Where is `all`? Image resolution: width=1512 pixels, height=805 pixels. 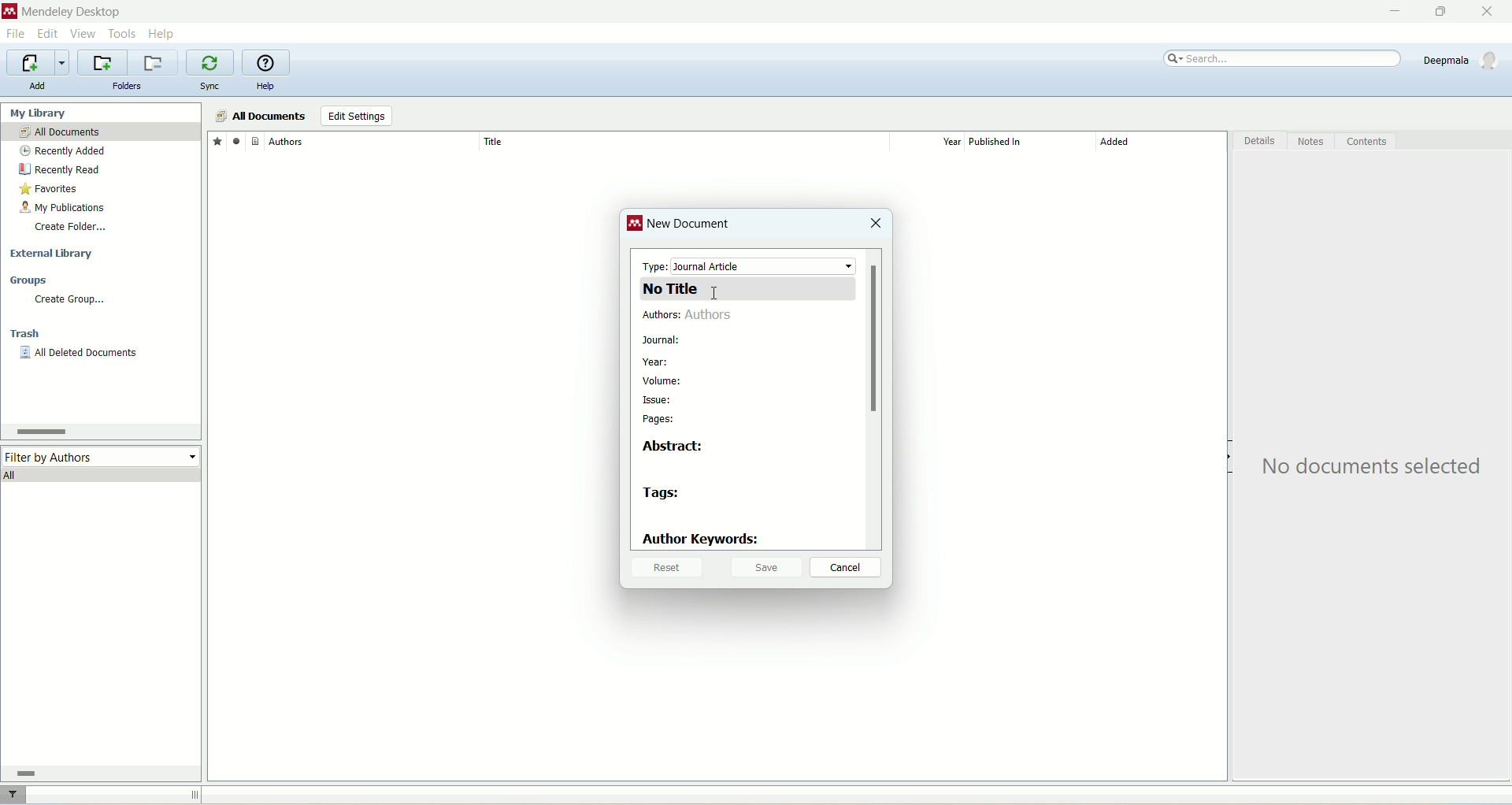 all is located at coordinates (102, 474).